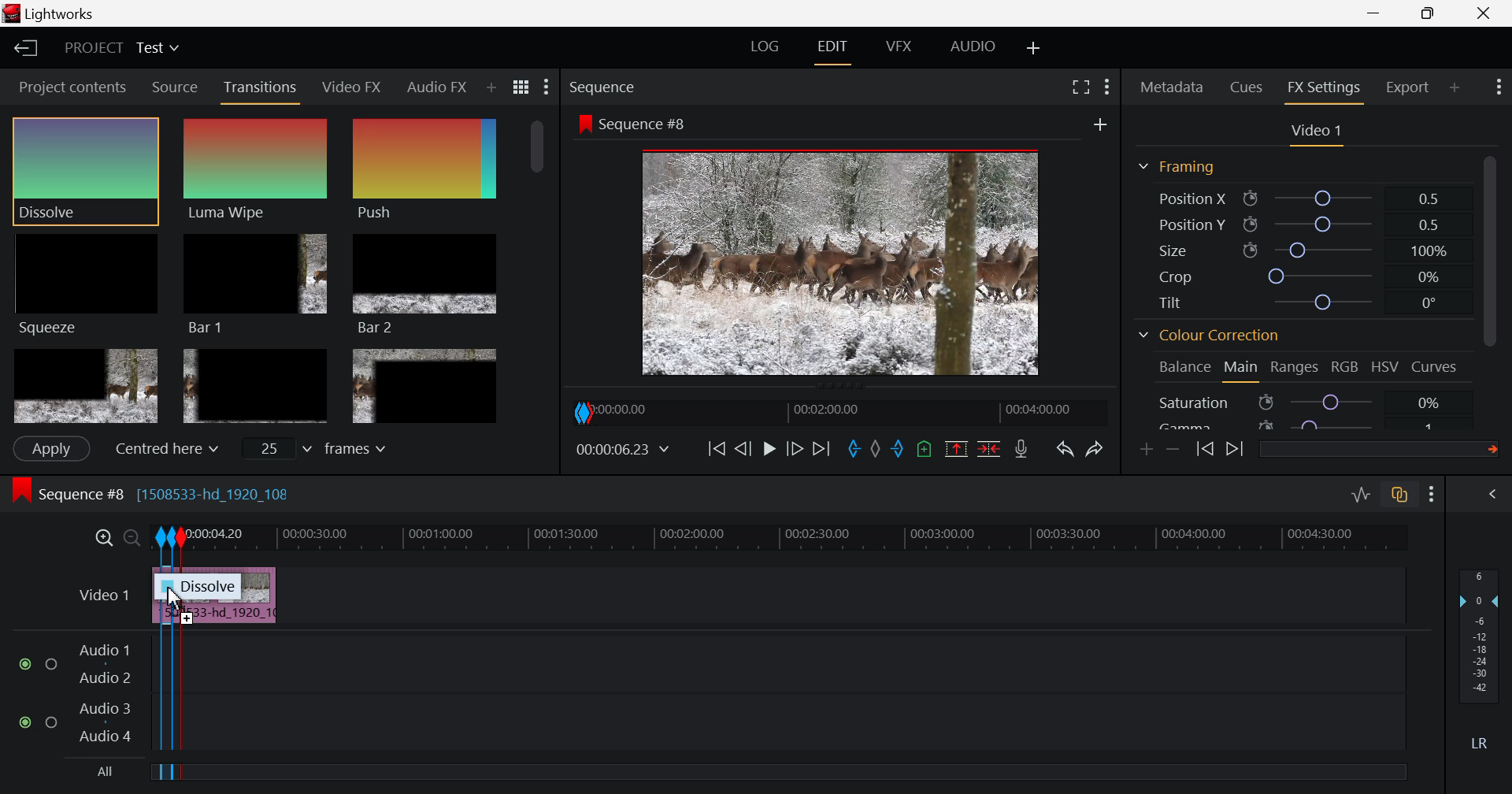 The image size is (1512, 794). I want to click on Size, so click(1309, 250).